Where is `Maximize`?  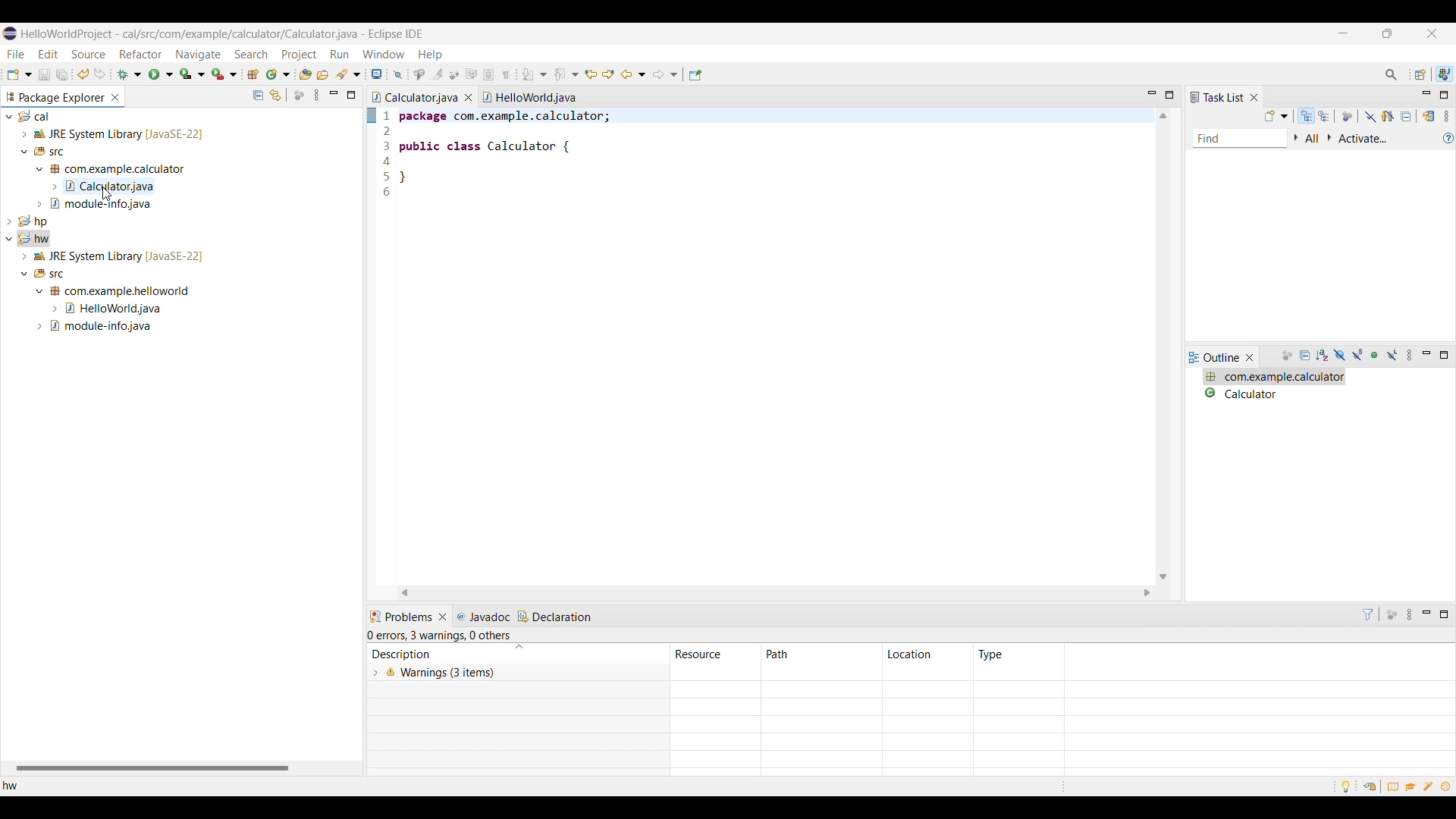 Maximize is located at coordinates (1443, 95).